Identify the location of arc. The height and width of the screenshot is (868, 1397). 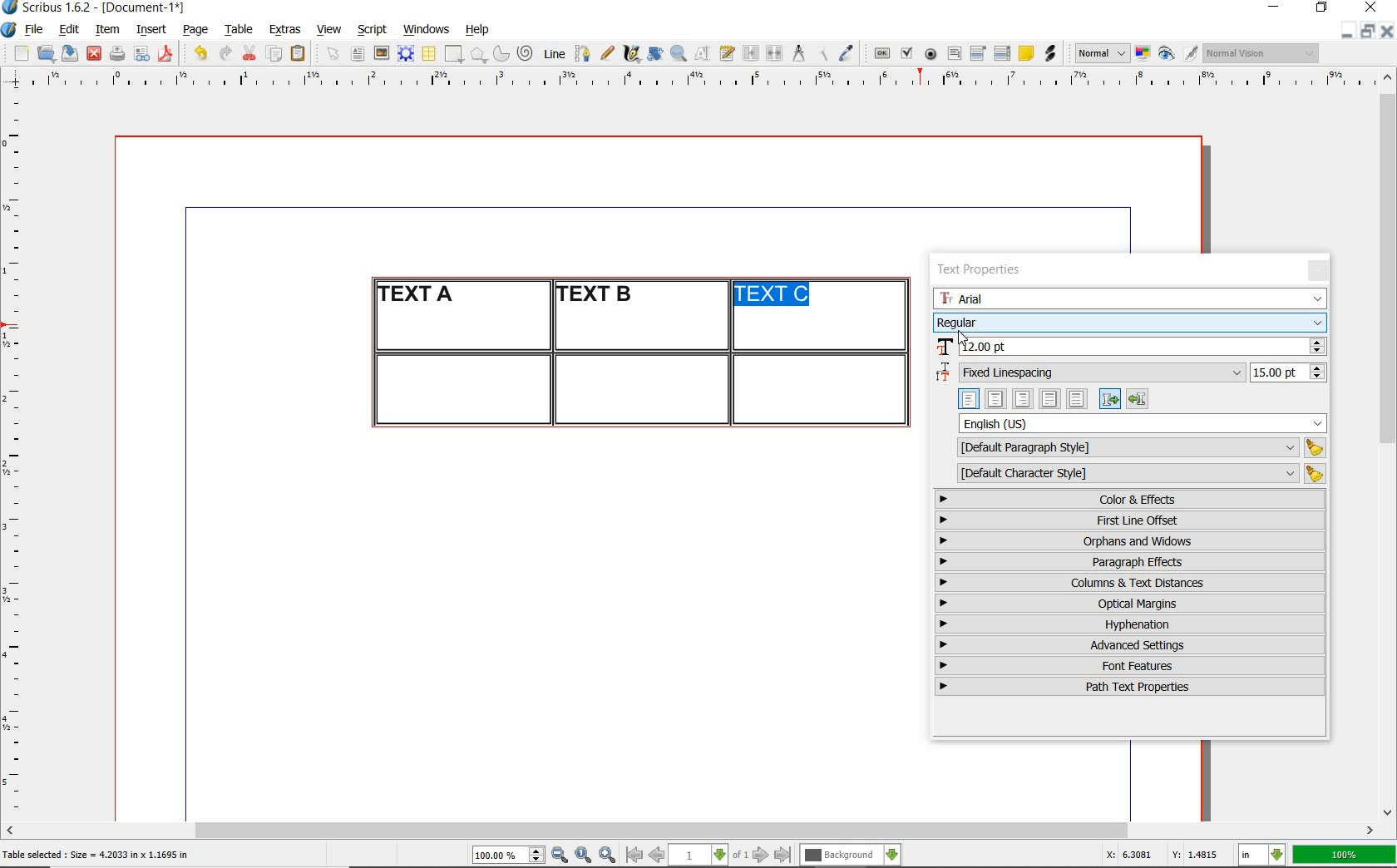
(501, 53).